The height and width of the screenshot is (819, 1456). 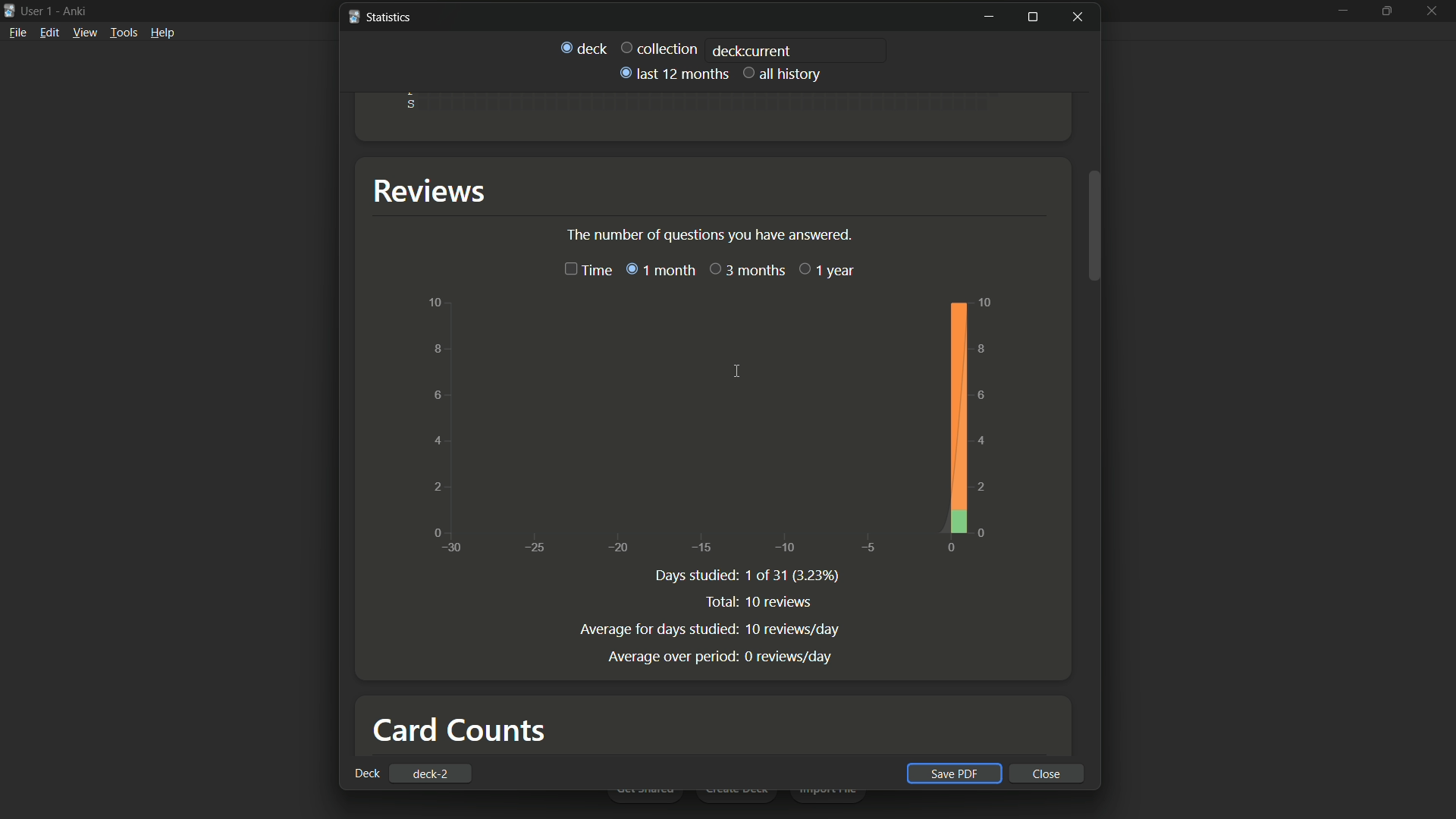 I want to click on Maximize, so click(x=1032, y=17).